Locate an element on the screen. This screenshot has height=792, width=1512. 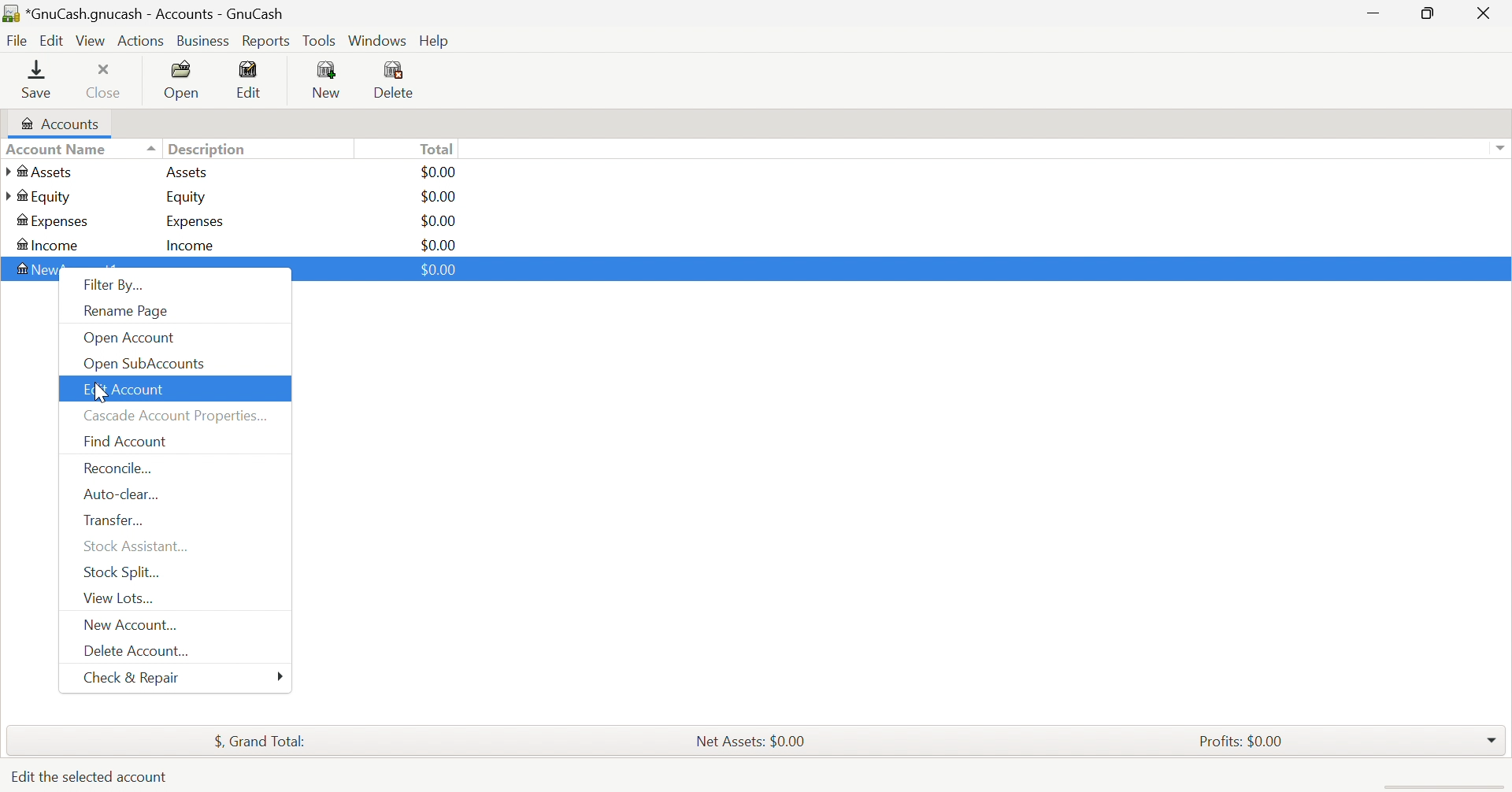
Find Account is located at coordinates (128, 441).